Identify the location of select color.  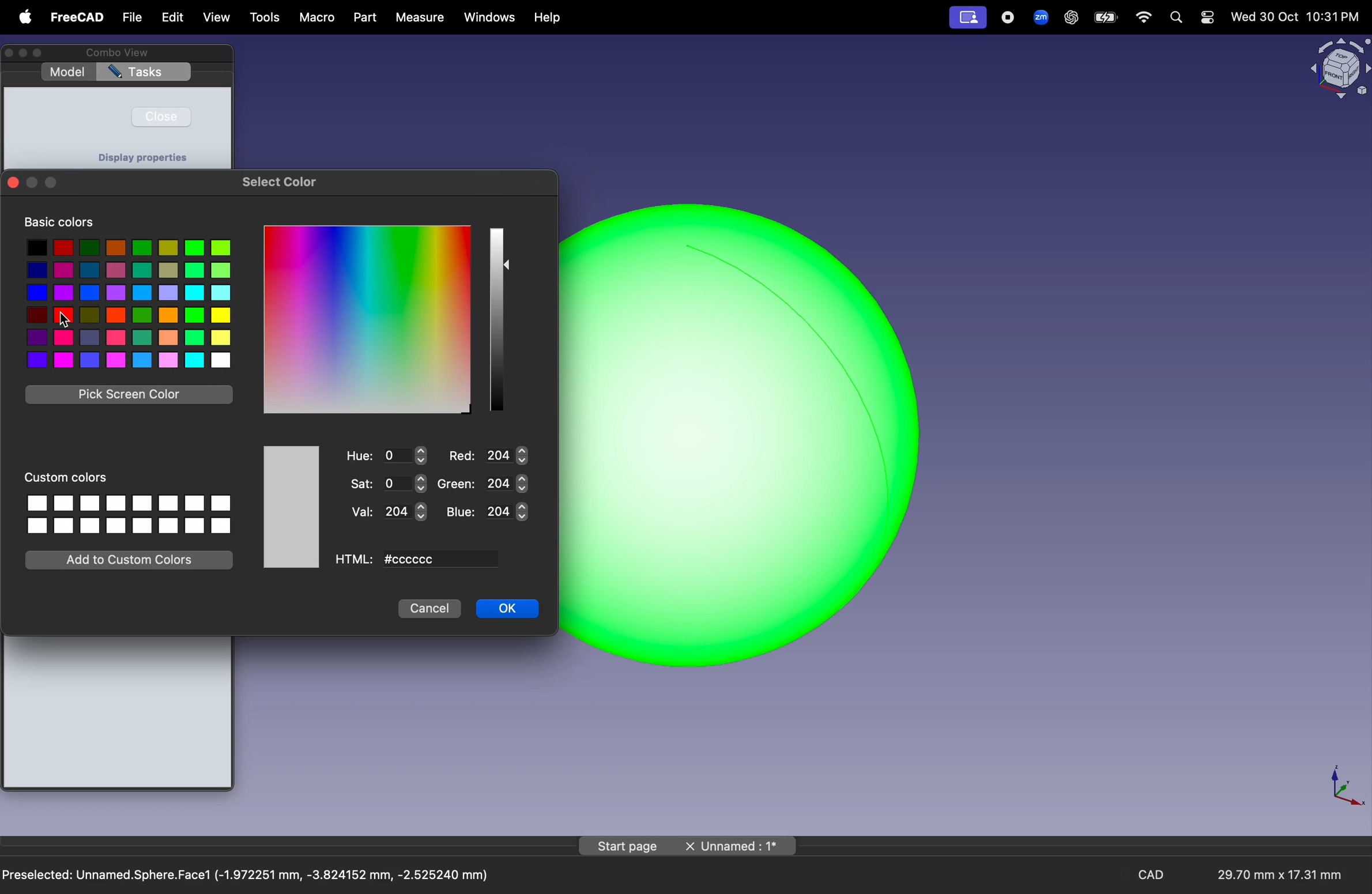
(281, 181).